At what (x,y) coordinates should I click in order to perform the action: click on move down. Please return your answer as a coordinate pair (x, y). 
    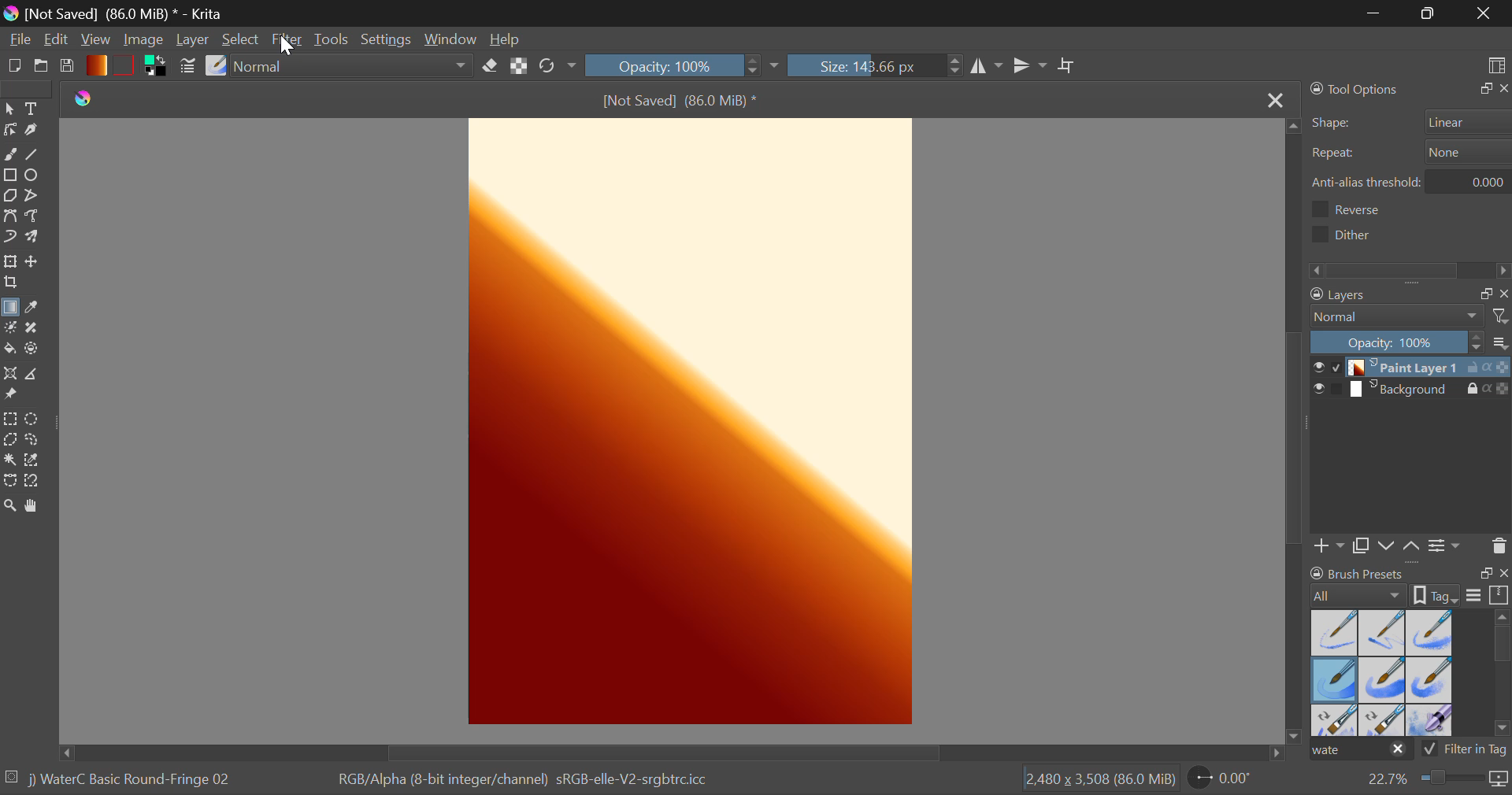
    Looking at the image, I should click on (1387, 545).